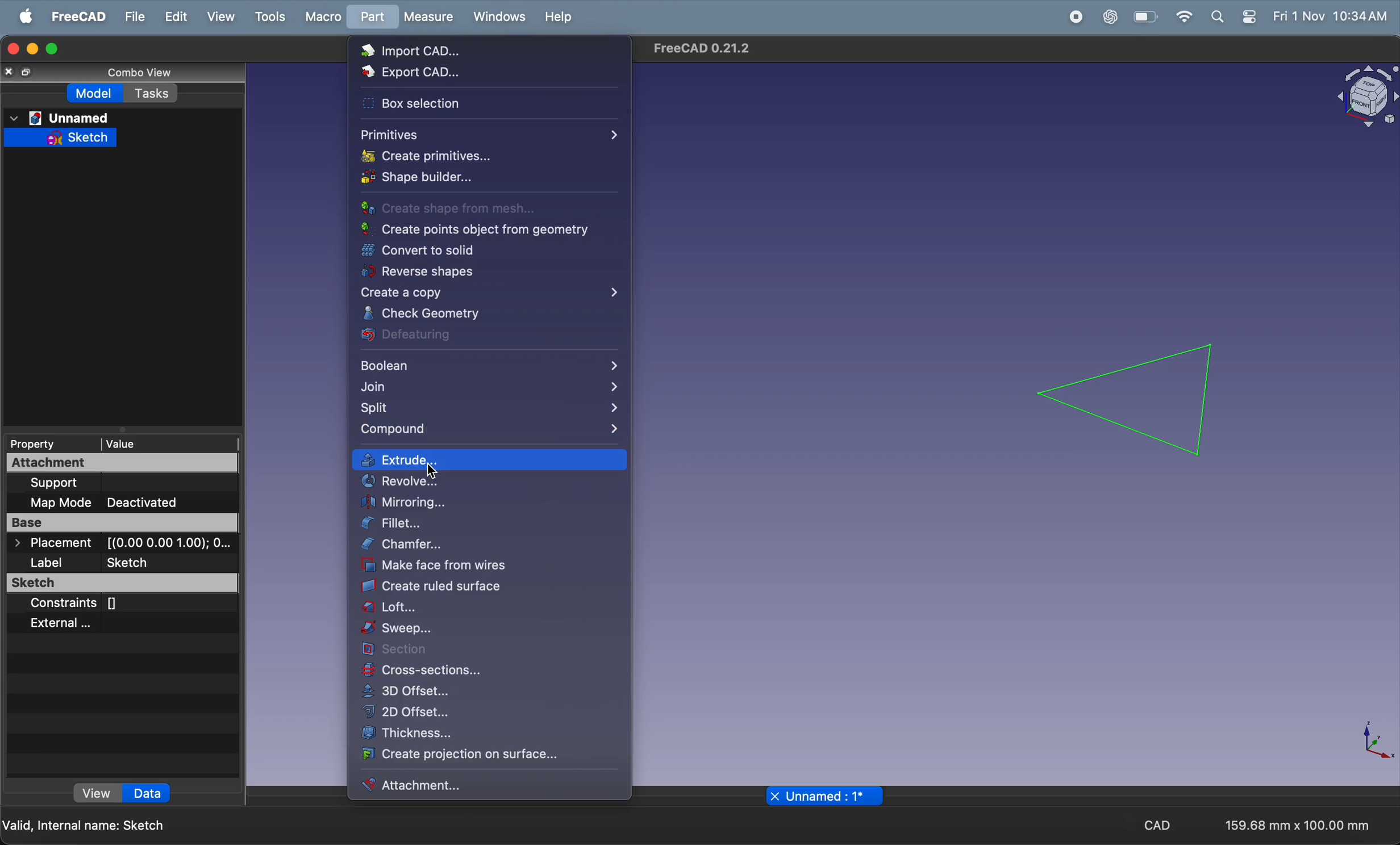  What do you see at coordinates (1359, 98) in the screenshot?
I see `object view` at bounding box center [1359, 98].